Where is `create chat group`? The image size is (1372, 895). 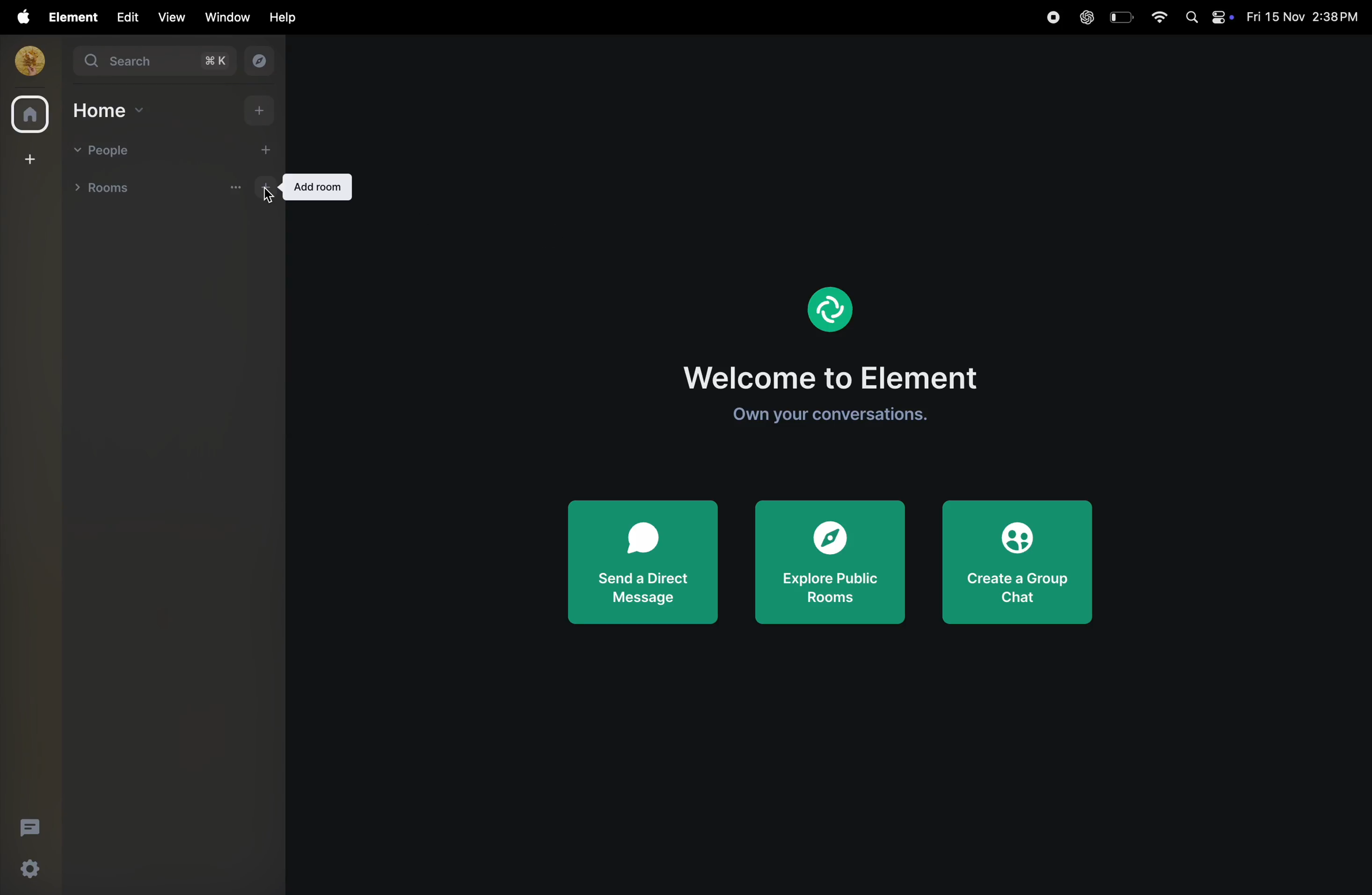 create chat group is located at coordinates (1020, 563).